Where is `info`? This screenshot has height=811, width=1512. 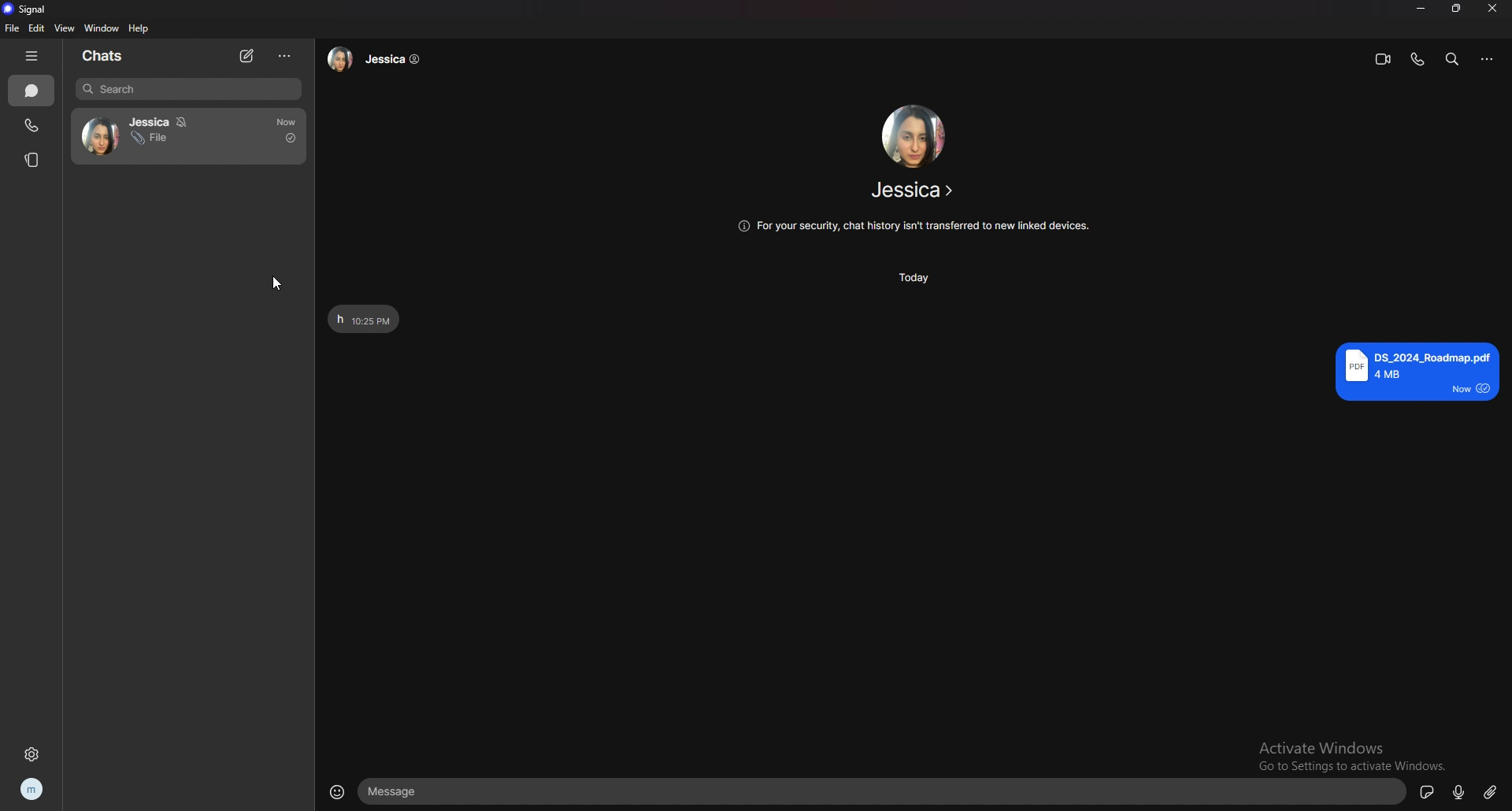 info is located at coordinates (912, 227).